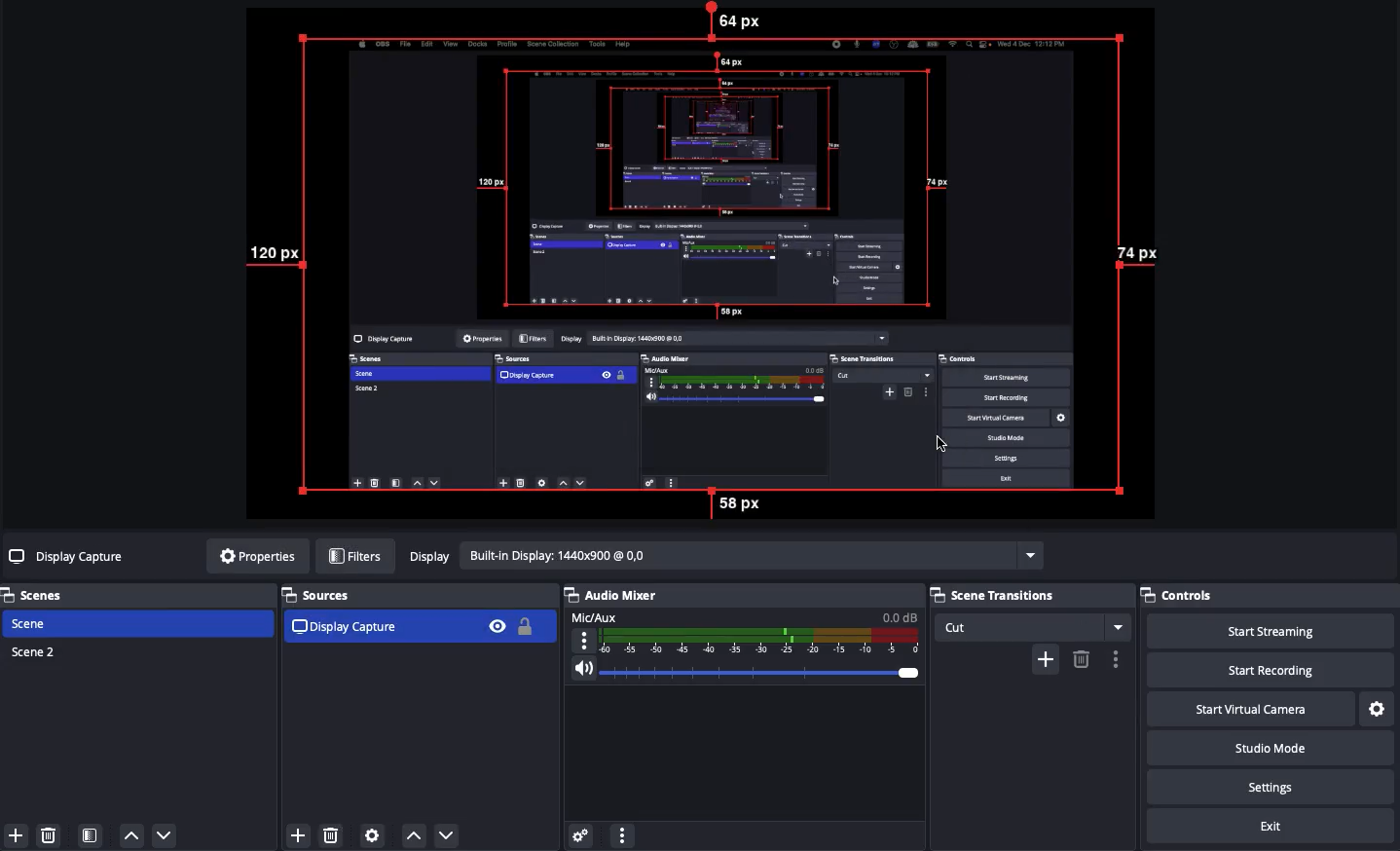 This screenshot has width=1400, height=851. Describe the element at coordinates (1201, 597) in the screenshot. I see `Controls` at that location.